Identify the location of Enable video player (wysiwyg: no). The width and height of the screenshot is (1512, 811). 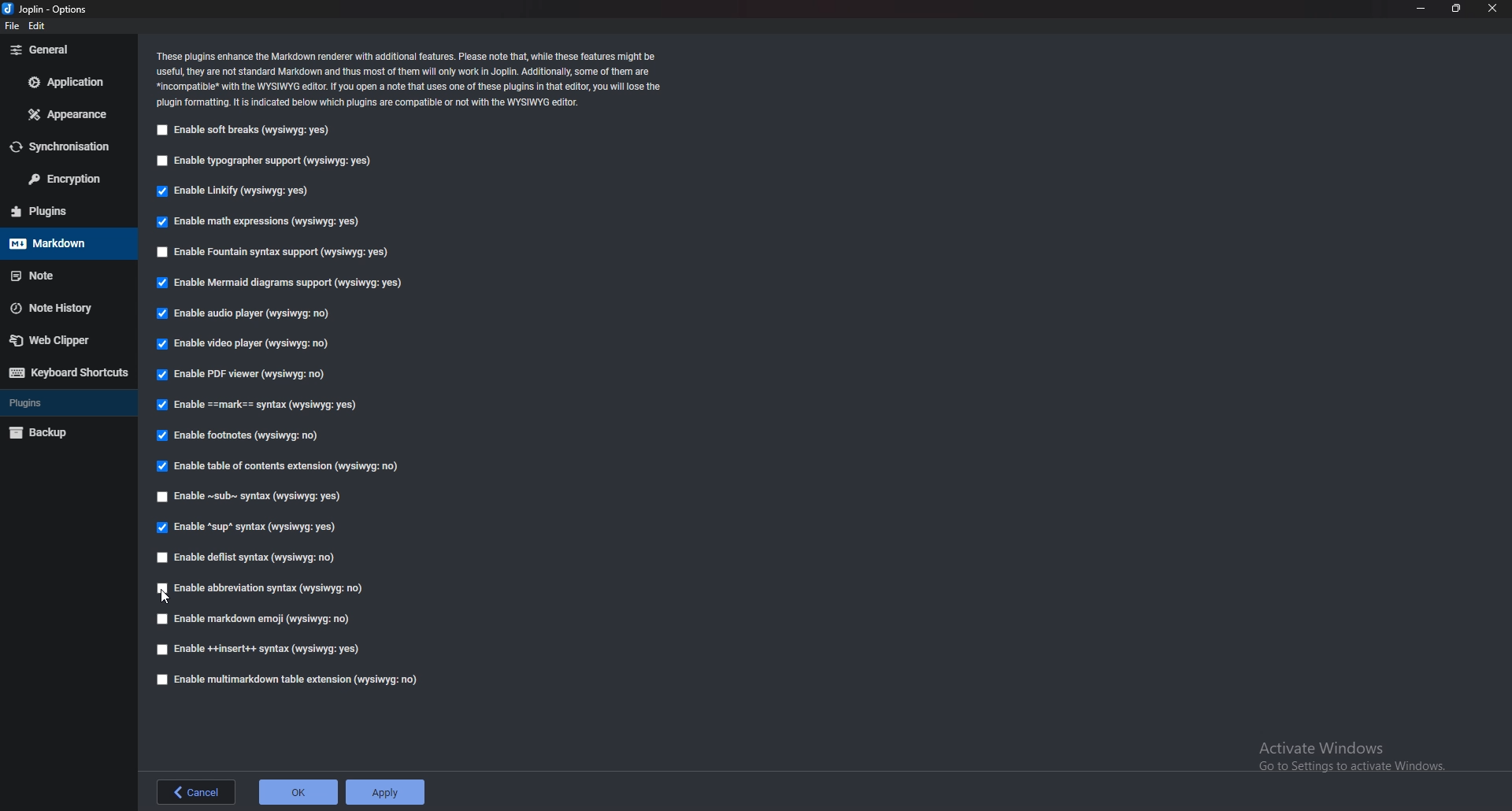
(249, 343).